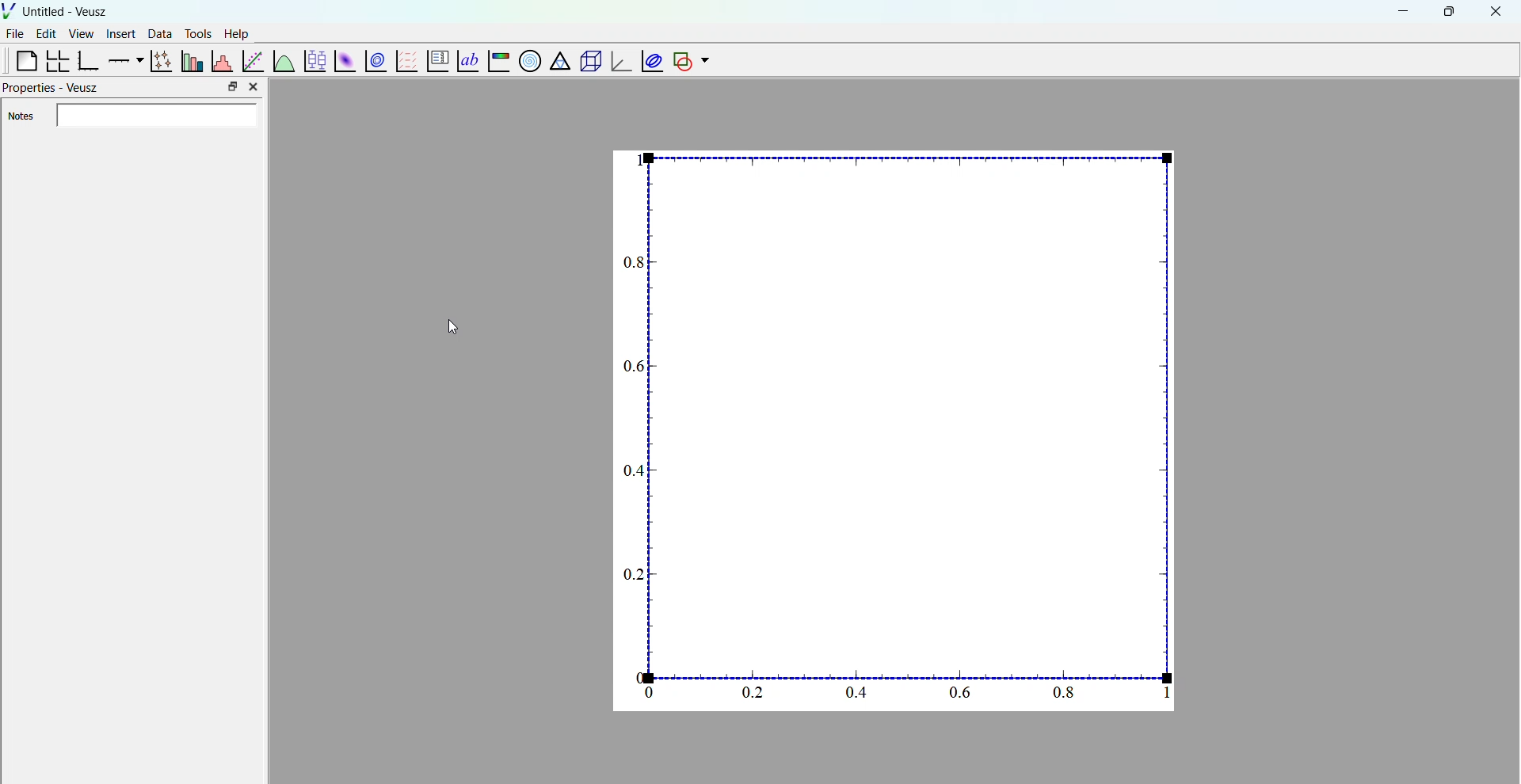 The image size is (1521, 784). Describe the element at coordinates (857, 695) in the screenshot. I see `0.4` at that location.